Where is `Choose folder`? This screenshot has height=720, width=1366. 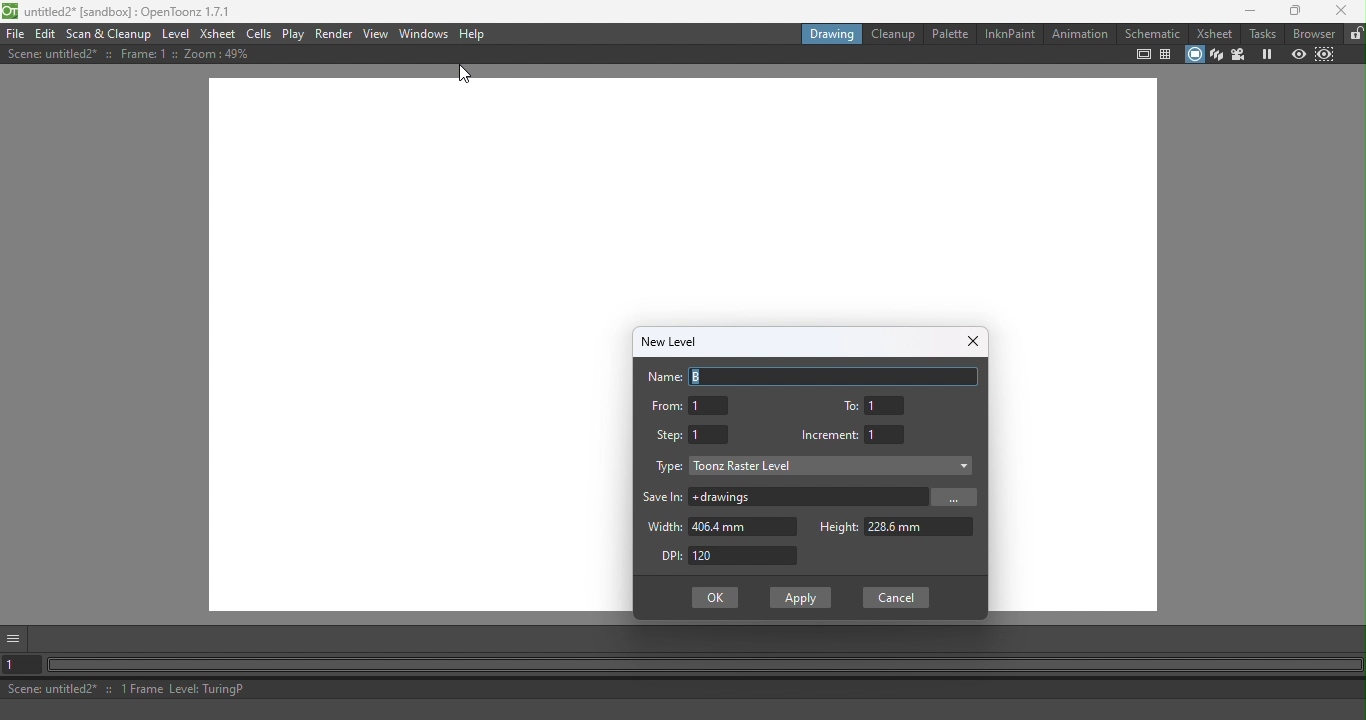
Choose folder is located at coordinates (958, 497).